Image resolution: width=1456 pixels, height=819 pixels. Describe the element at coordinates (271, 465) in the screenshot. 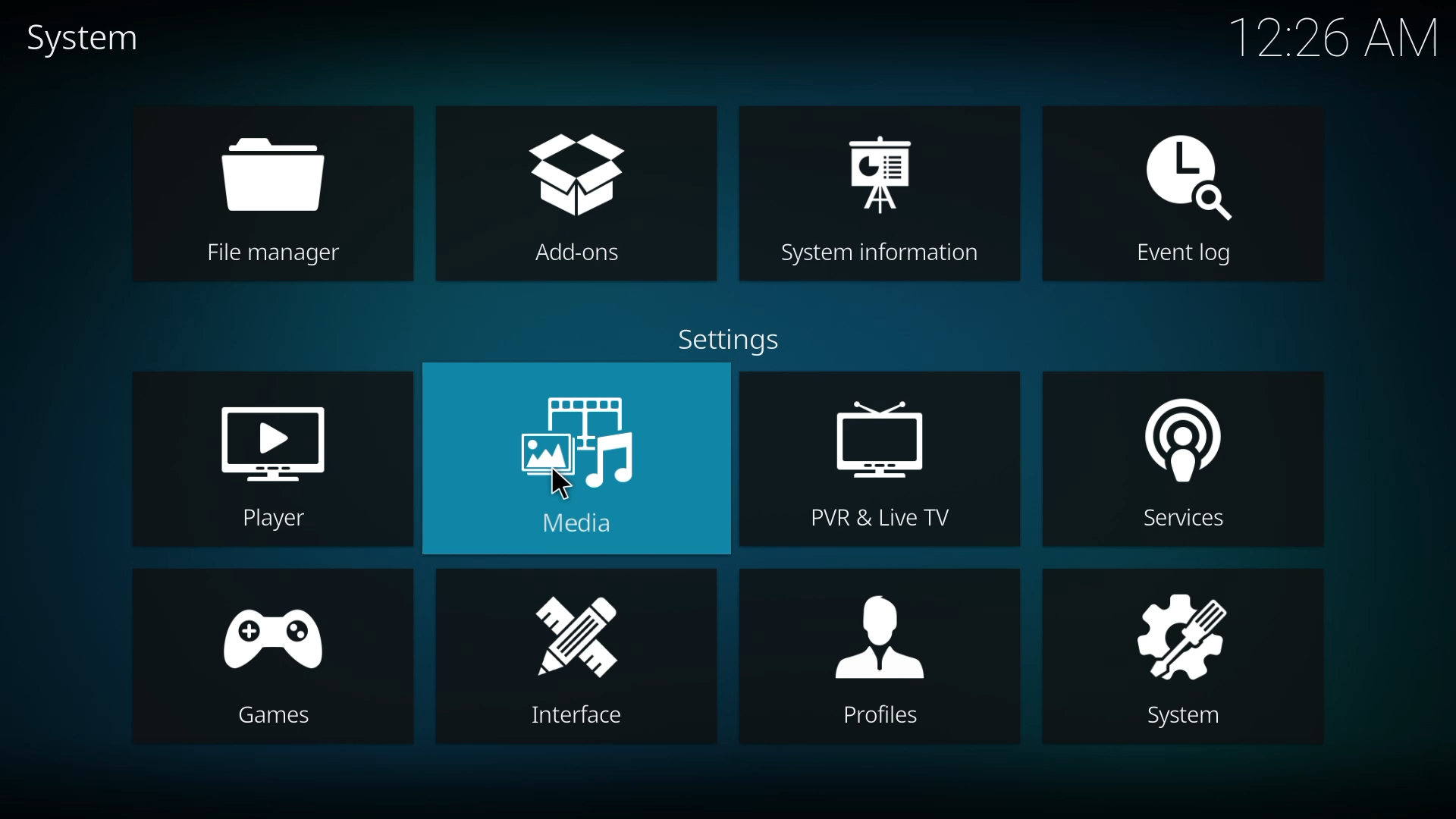

I see `player` at that location.